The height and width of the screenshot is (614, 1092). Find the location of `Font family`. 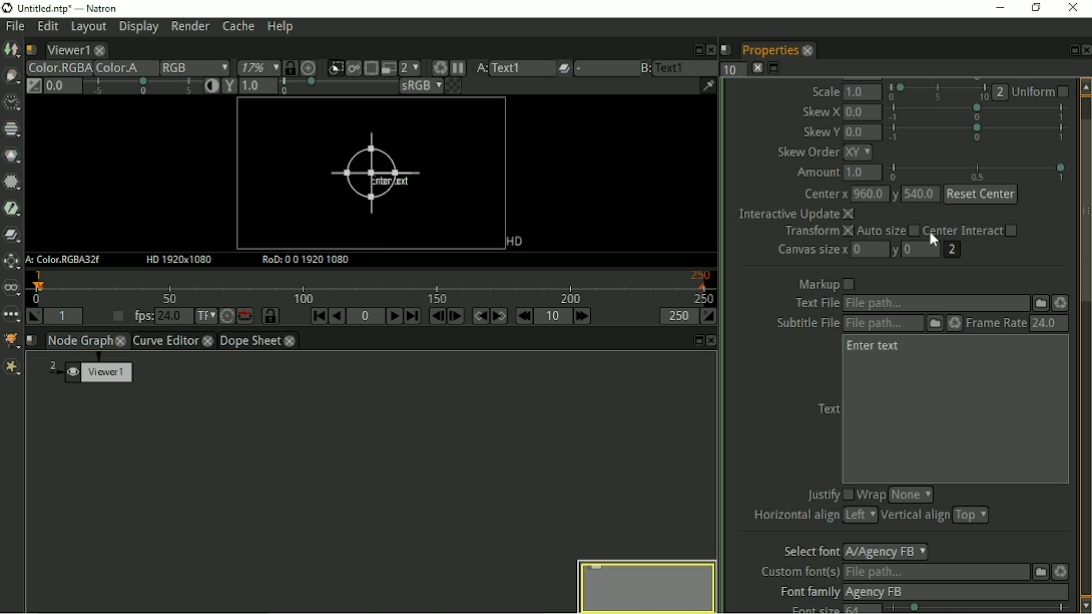

Font family is located at coordinates (806, 592).